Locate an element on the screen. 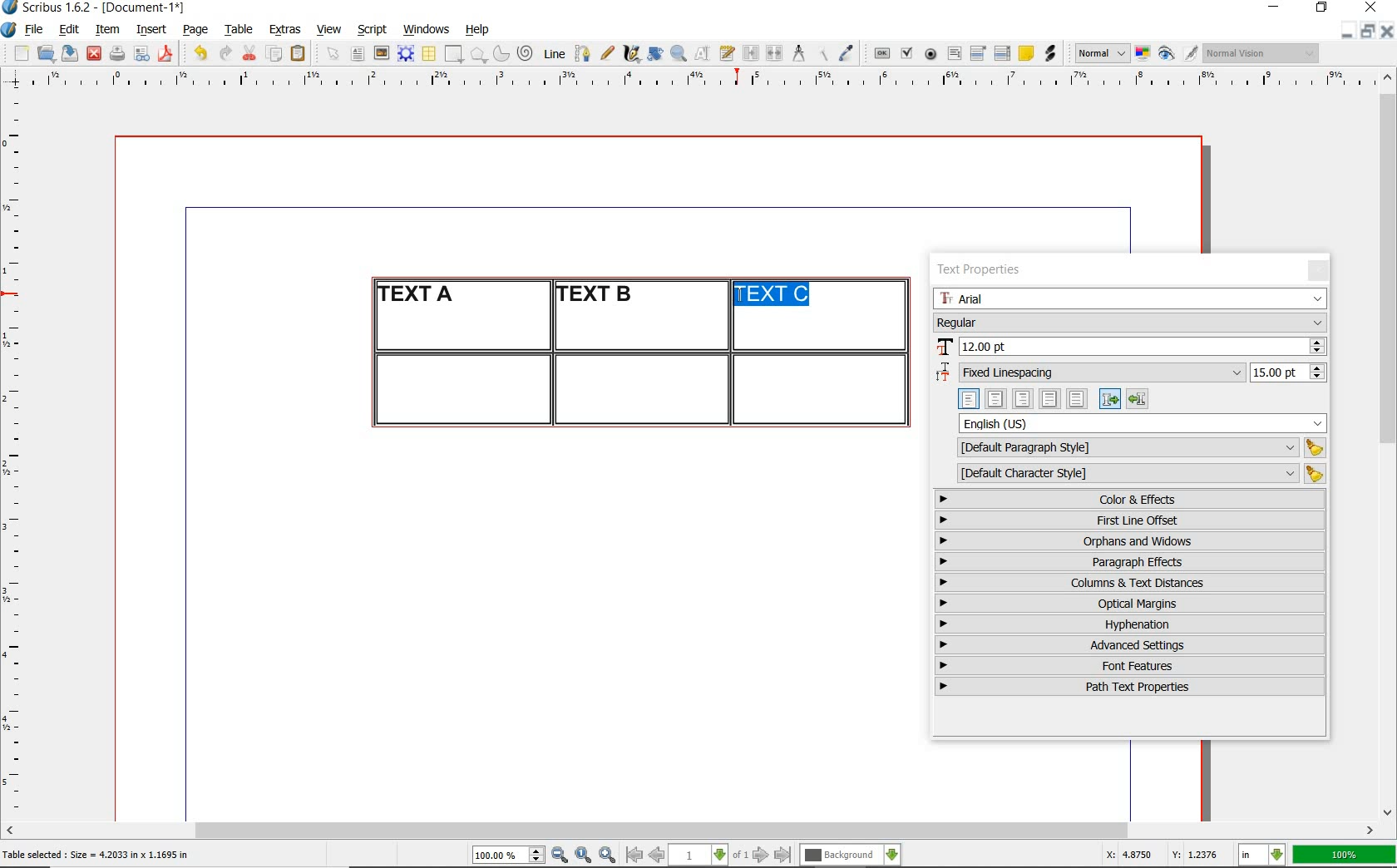  line is located at coordinates (552, 53).